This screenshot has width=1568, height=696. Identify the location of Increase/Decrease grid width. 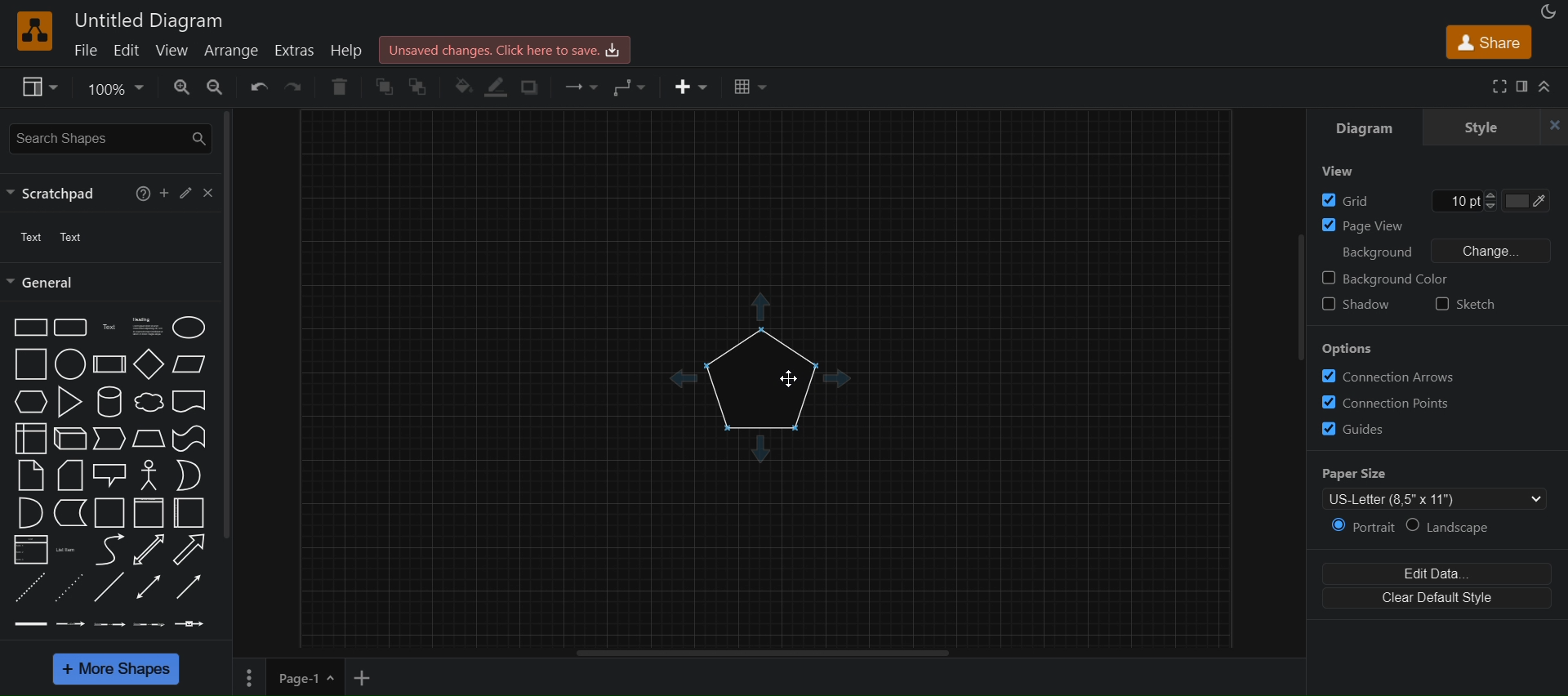
(1490, 200).